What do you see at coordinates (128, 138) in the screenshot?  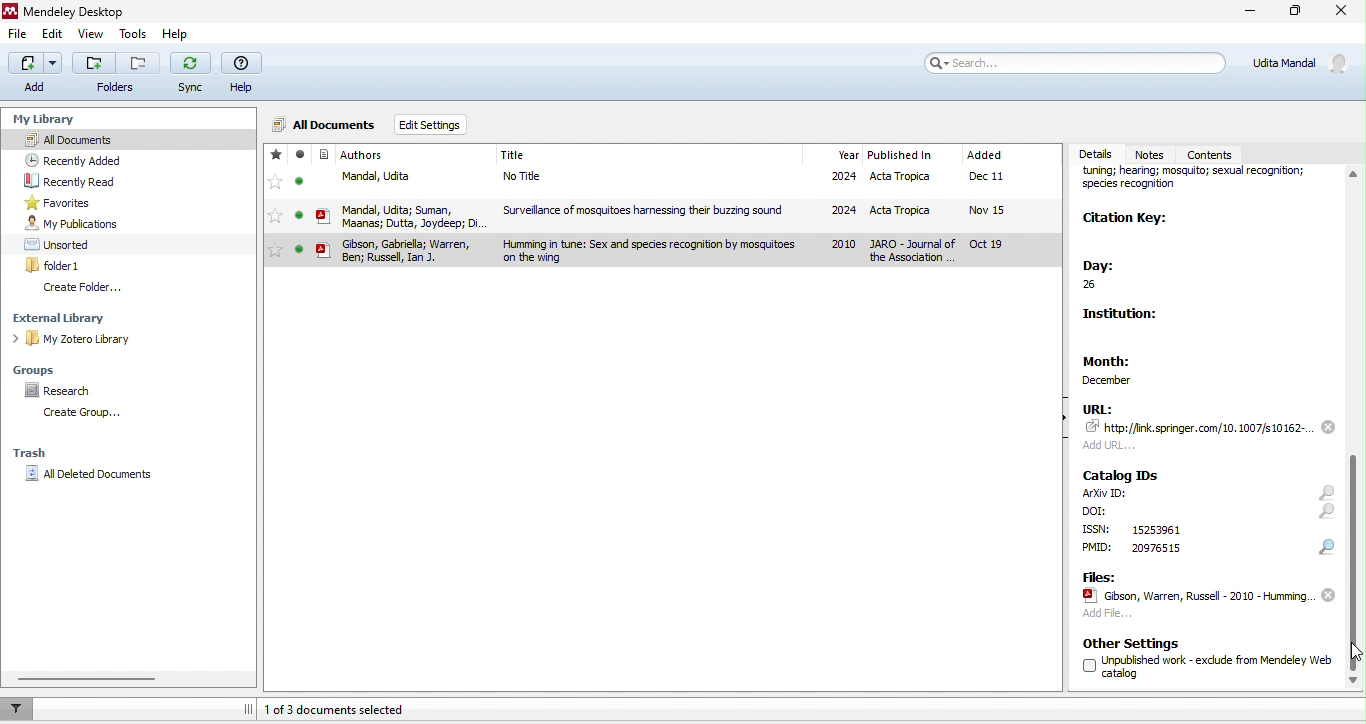 I see `all documents` at bounding box center [128, 138].